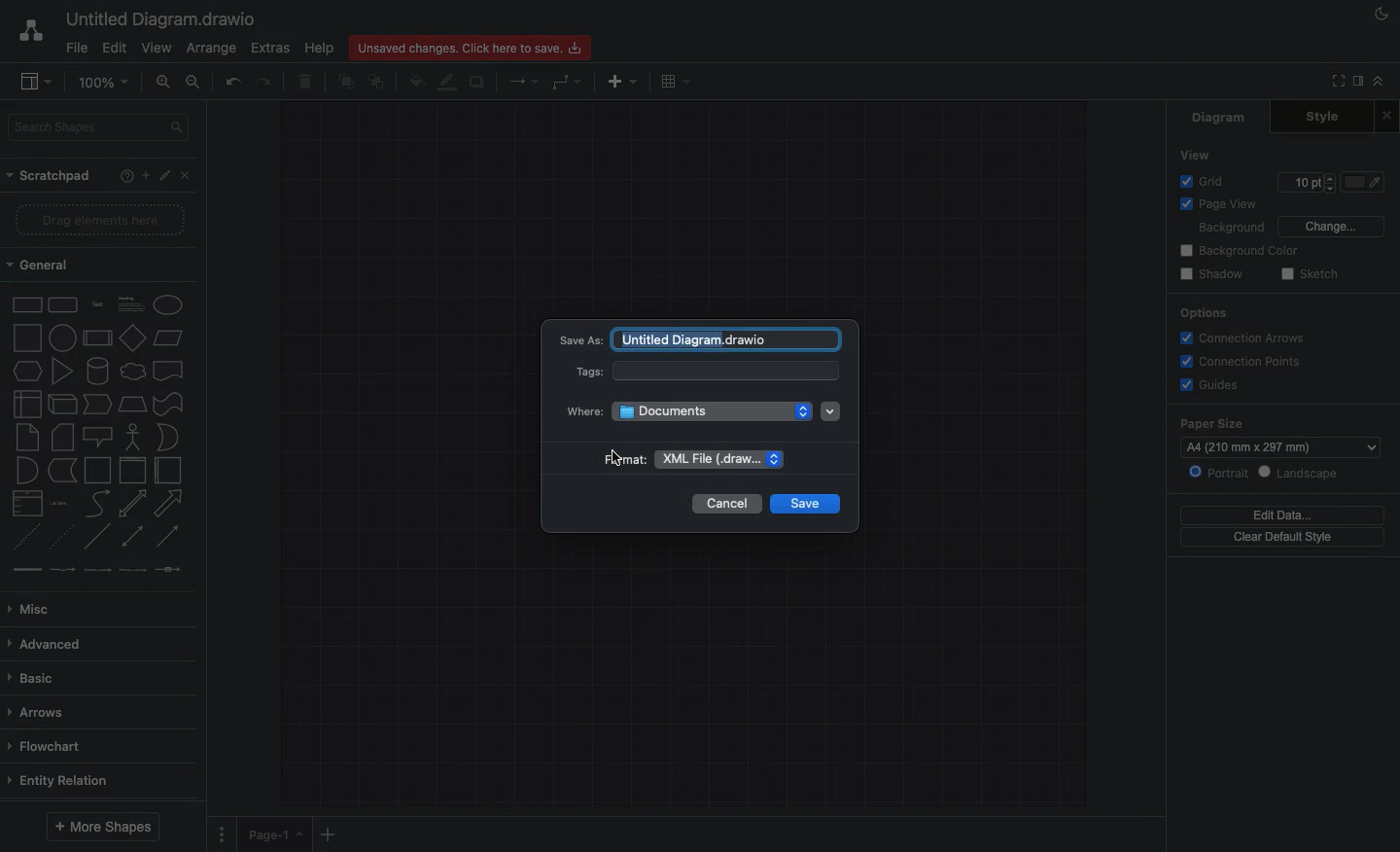  Describe the element at coordinates (264, 81) in the screenshot. I see `Redo` at that location.